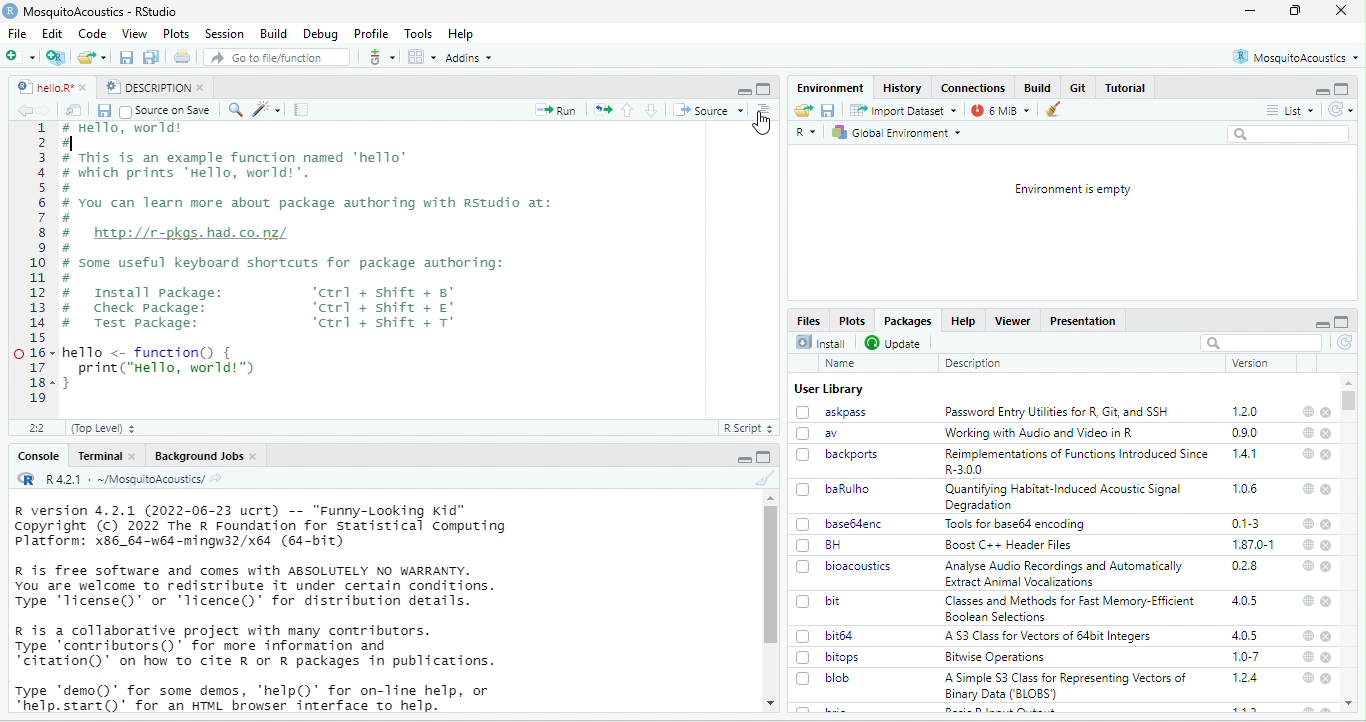 This screenshot has height=722, width=1366. What do you see at coordinates (127, 57) in the screenshot?
I see `save current document` at bounding box center [127, 57].